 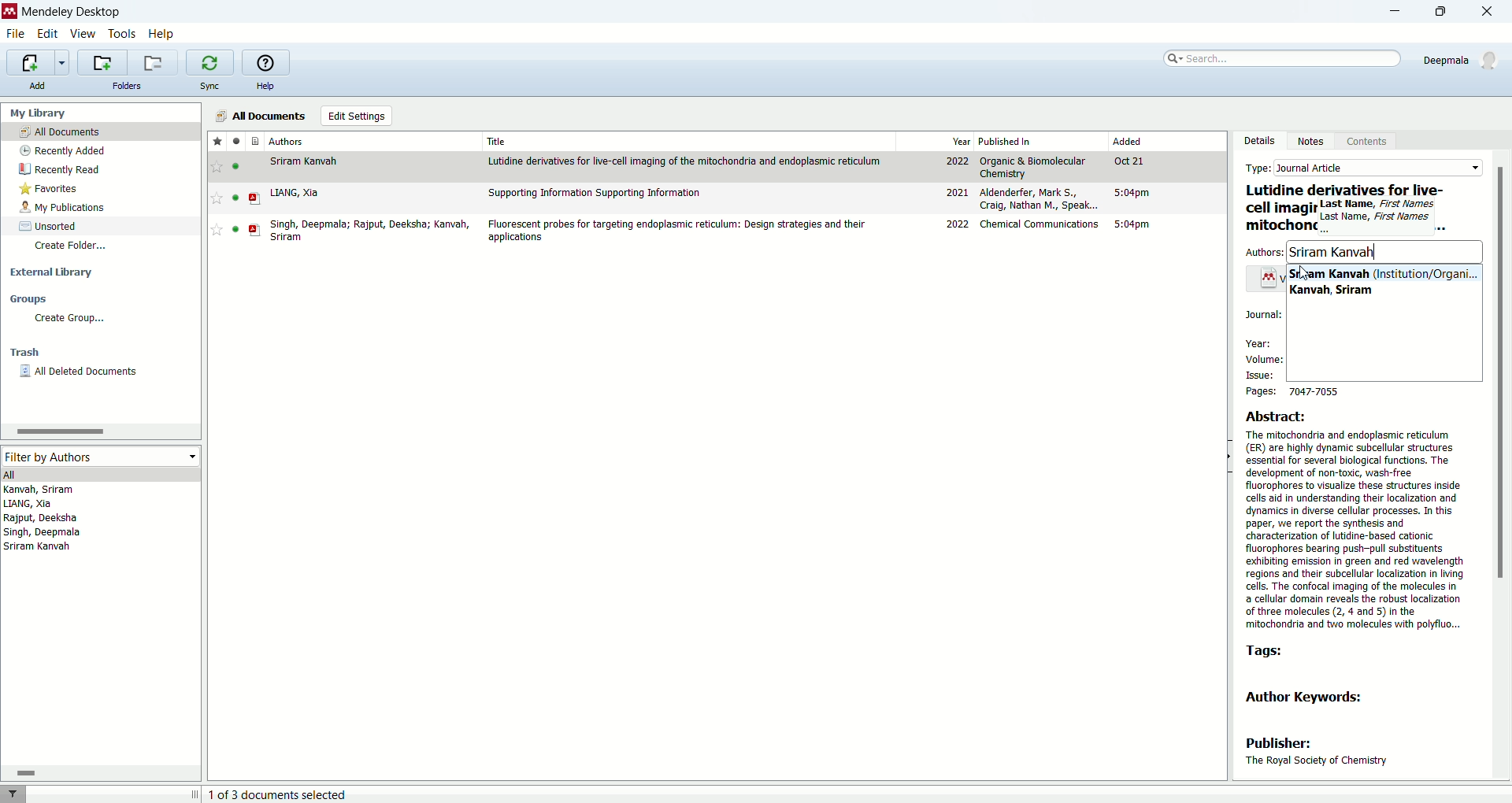 What do you see at coordinates (1036, 167) in the screenshot?
I see `Organic & Biomolecular Chemistry` at bounding box center [1036, 167].